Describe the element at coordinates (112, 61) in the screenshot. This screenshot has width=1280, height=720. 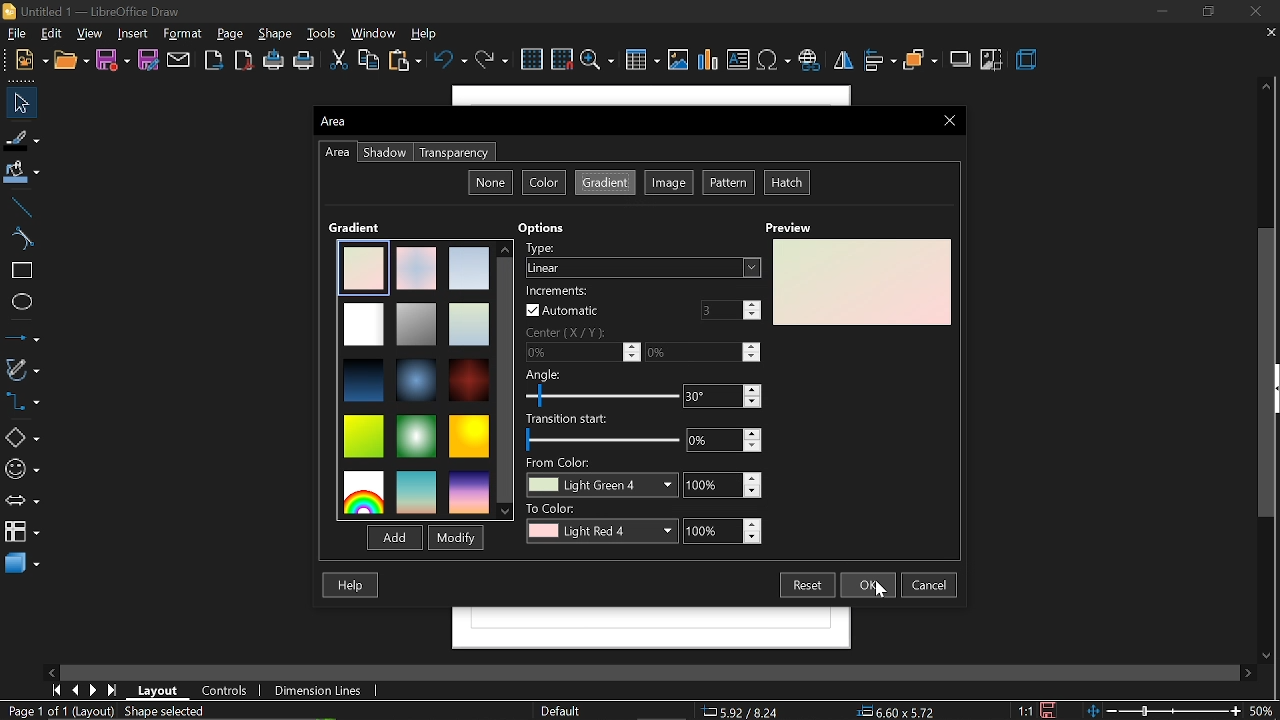
I see `save` at that location.